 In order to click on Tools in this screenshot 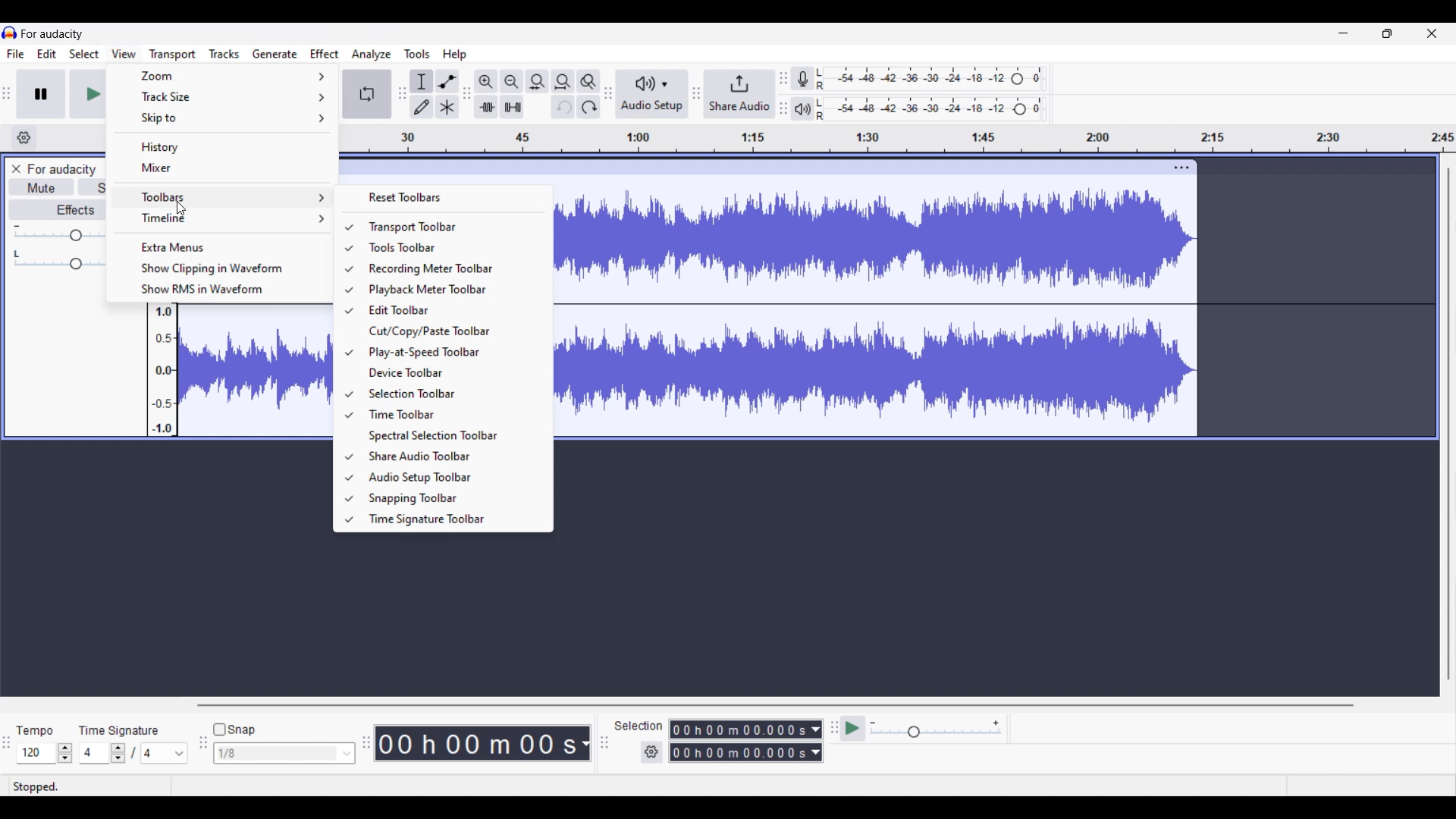, I will do `click(416, 54)`.